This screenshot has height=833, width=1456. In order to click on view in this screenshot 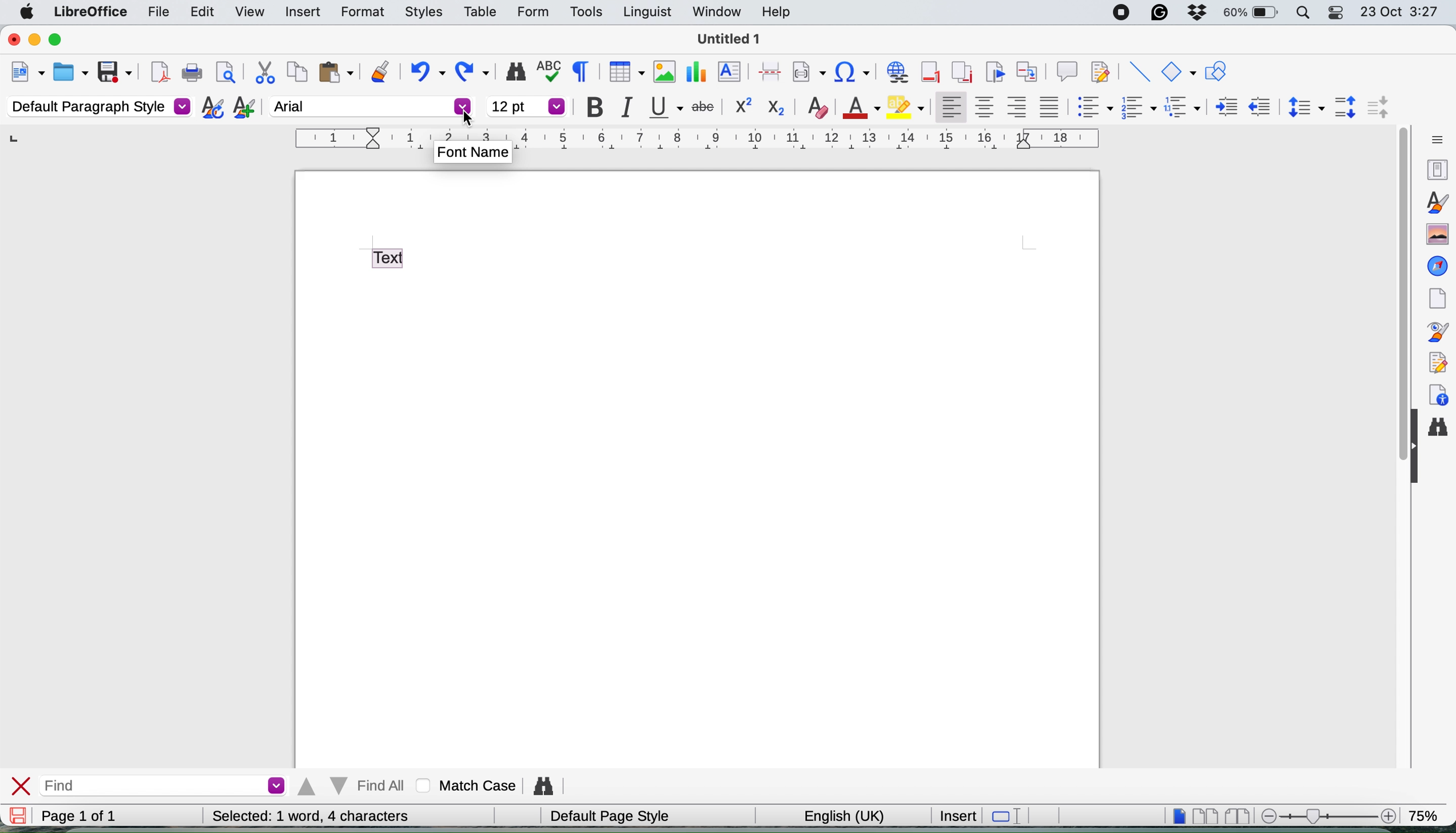, I will do `click(251, 11)`.